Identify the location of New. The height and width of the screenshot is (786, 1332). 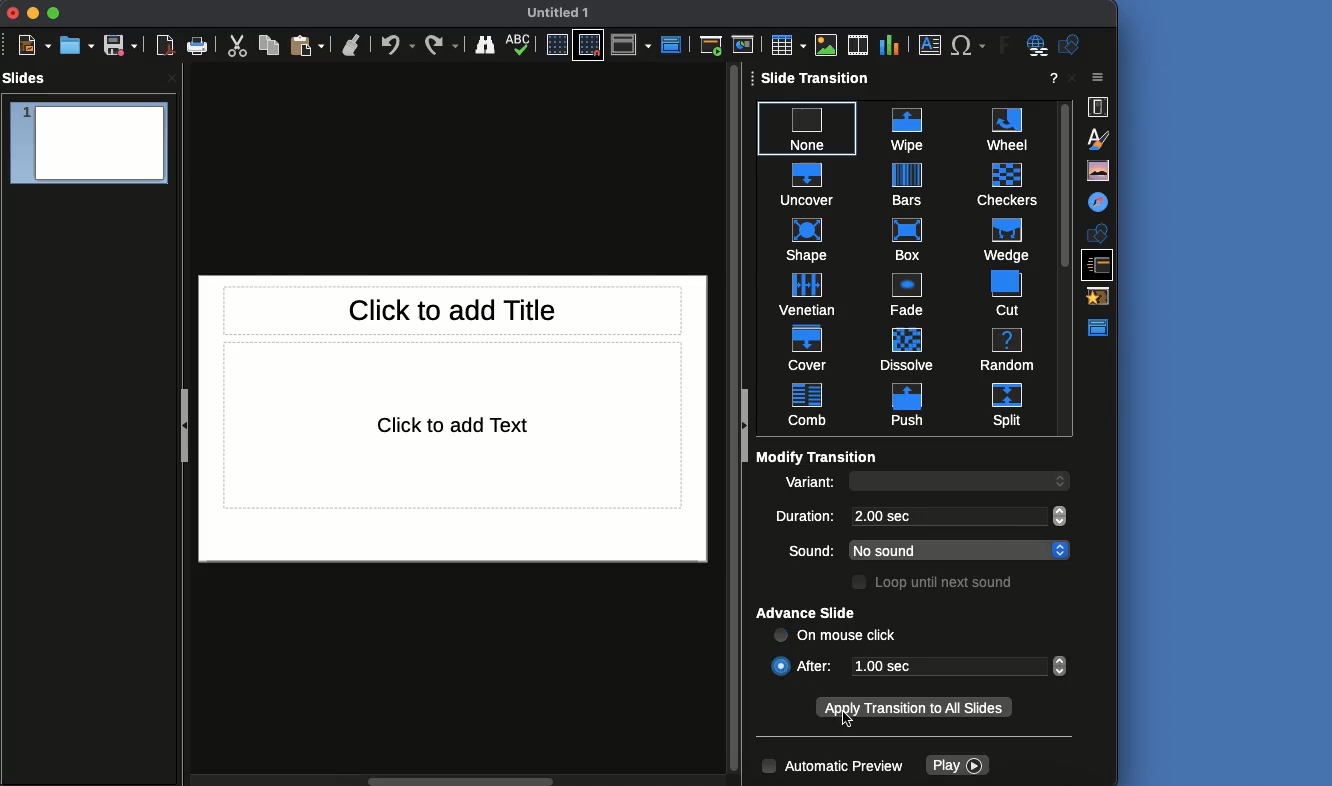
(36, 46).